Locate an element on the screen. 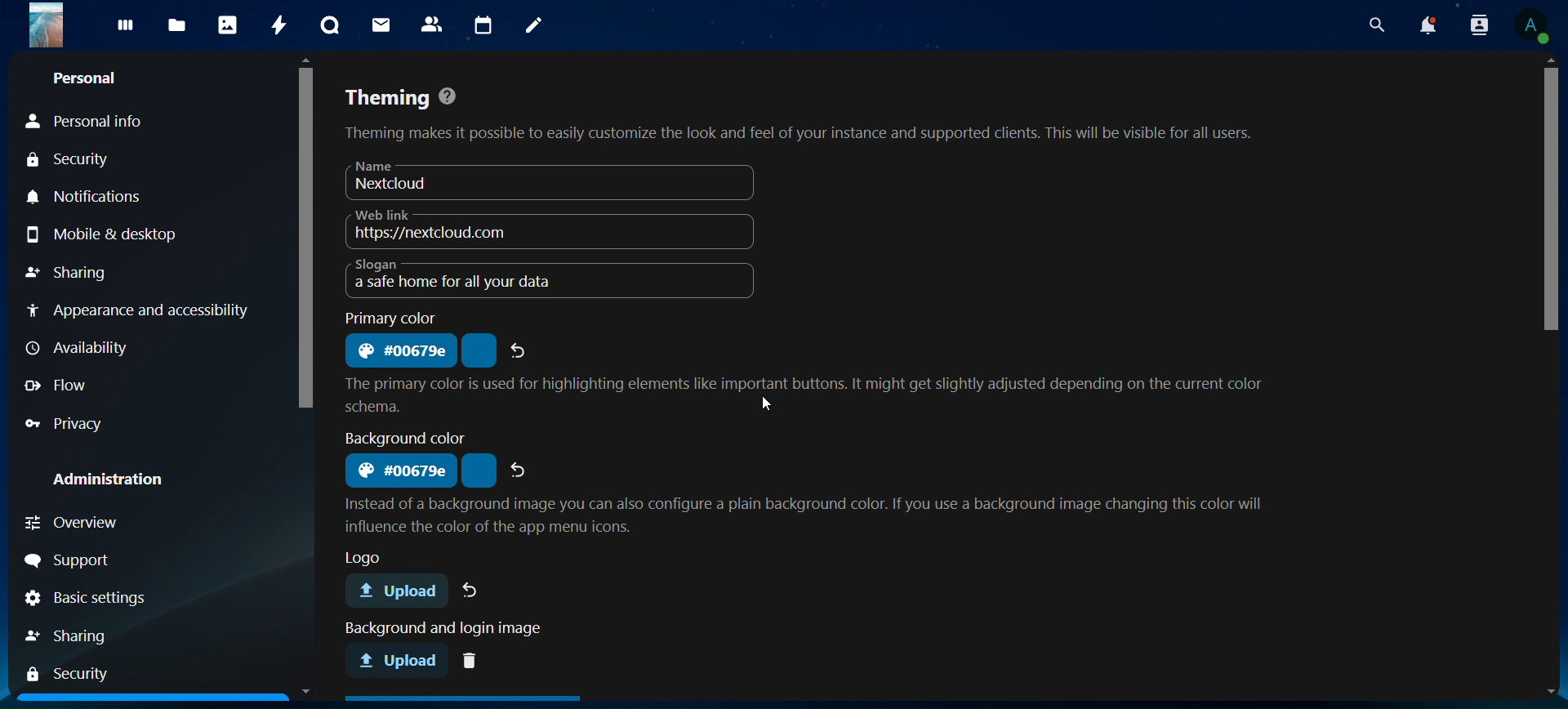 This screenshot has height=709, width=1568. search contacts is located at coordinates (1477, 27).